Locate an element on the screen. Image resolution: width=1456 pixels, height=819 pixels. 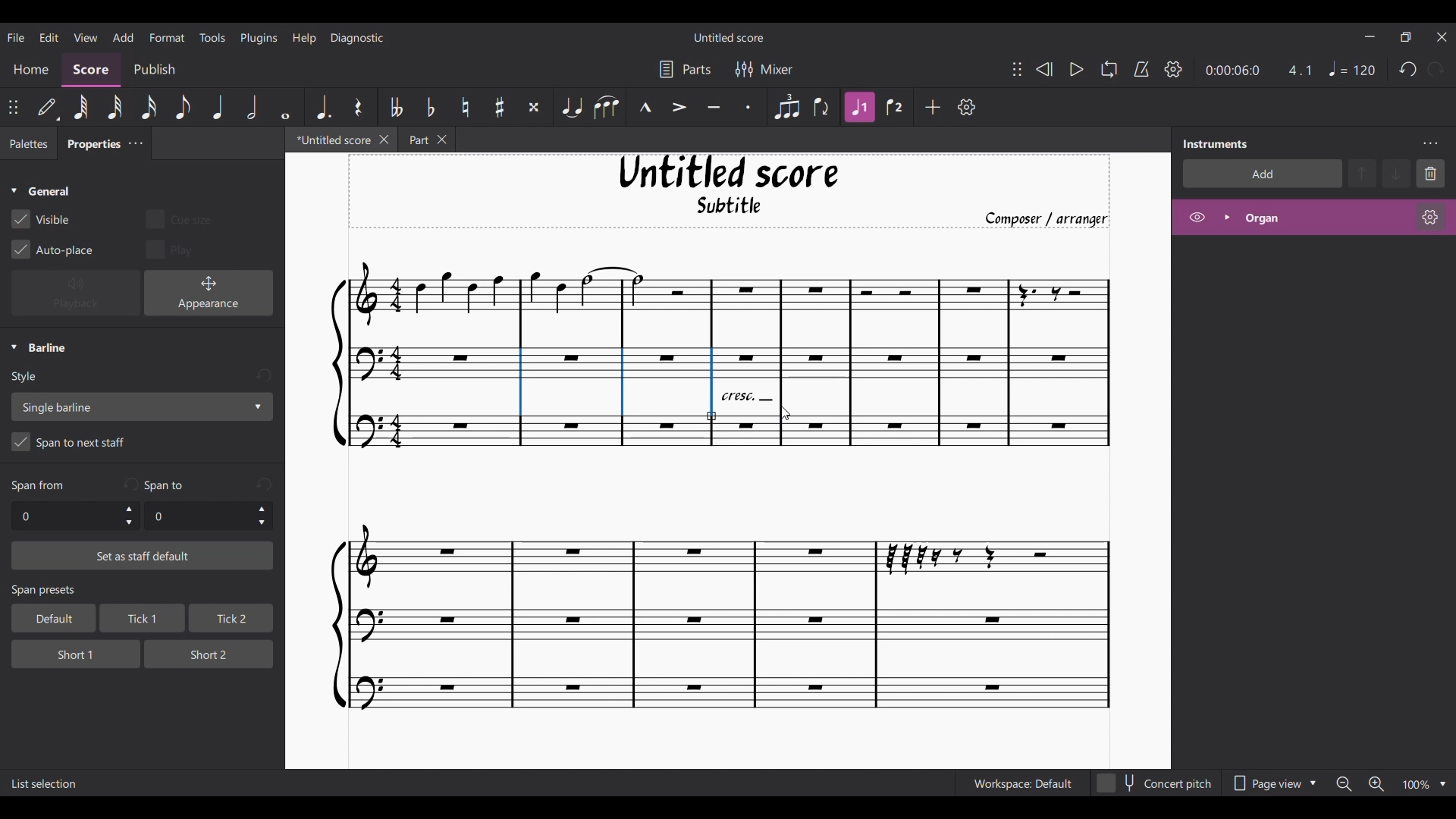
tick 2 is located at coordinates (230, 619).